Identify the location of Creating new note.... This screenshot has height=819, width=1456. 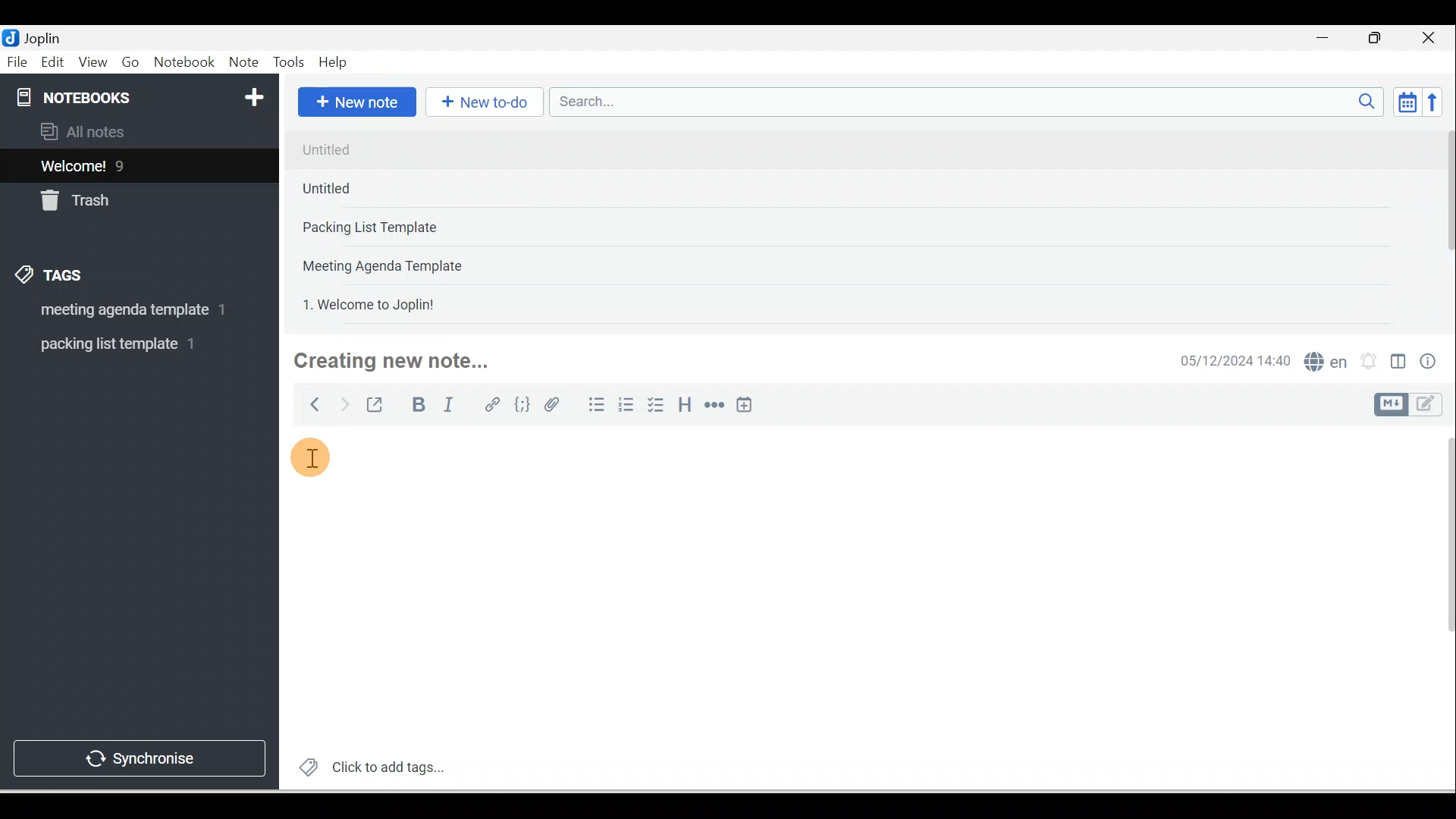
(400, 362).